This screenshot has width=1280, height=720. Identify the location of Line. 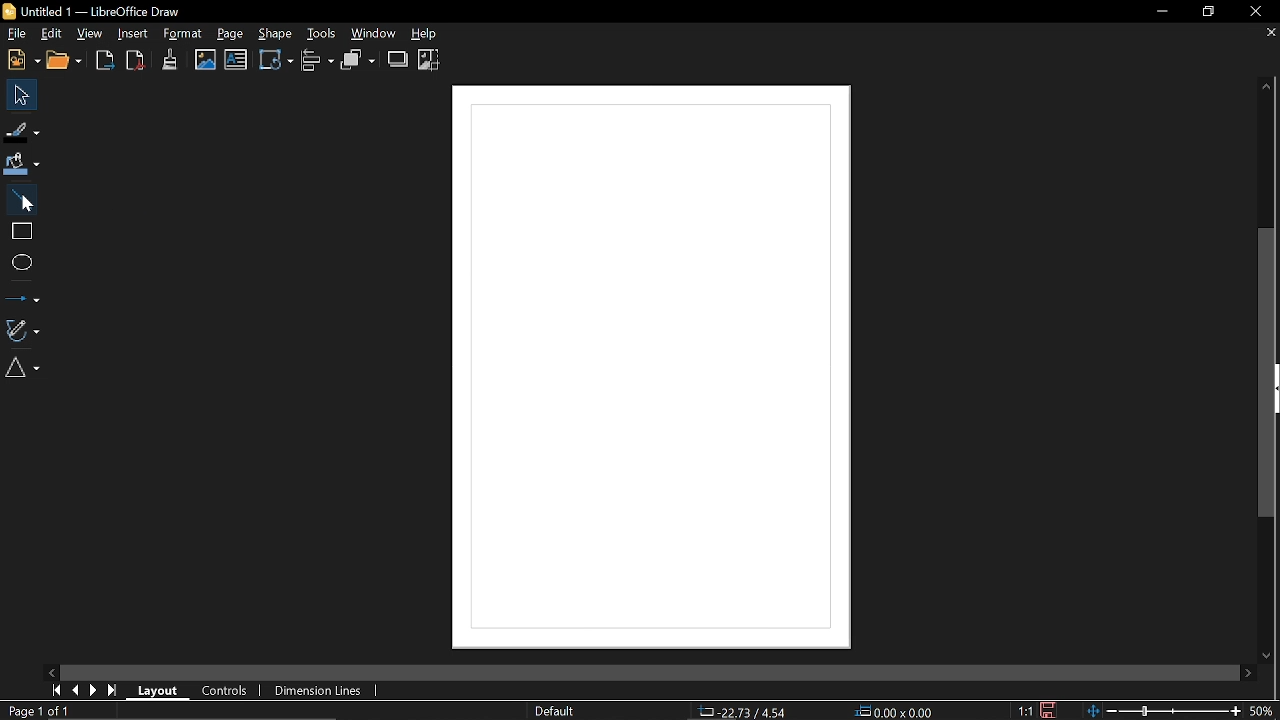
(20, 197).